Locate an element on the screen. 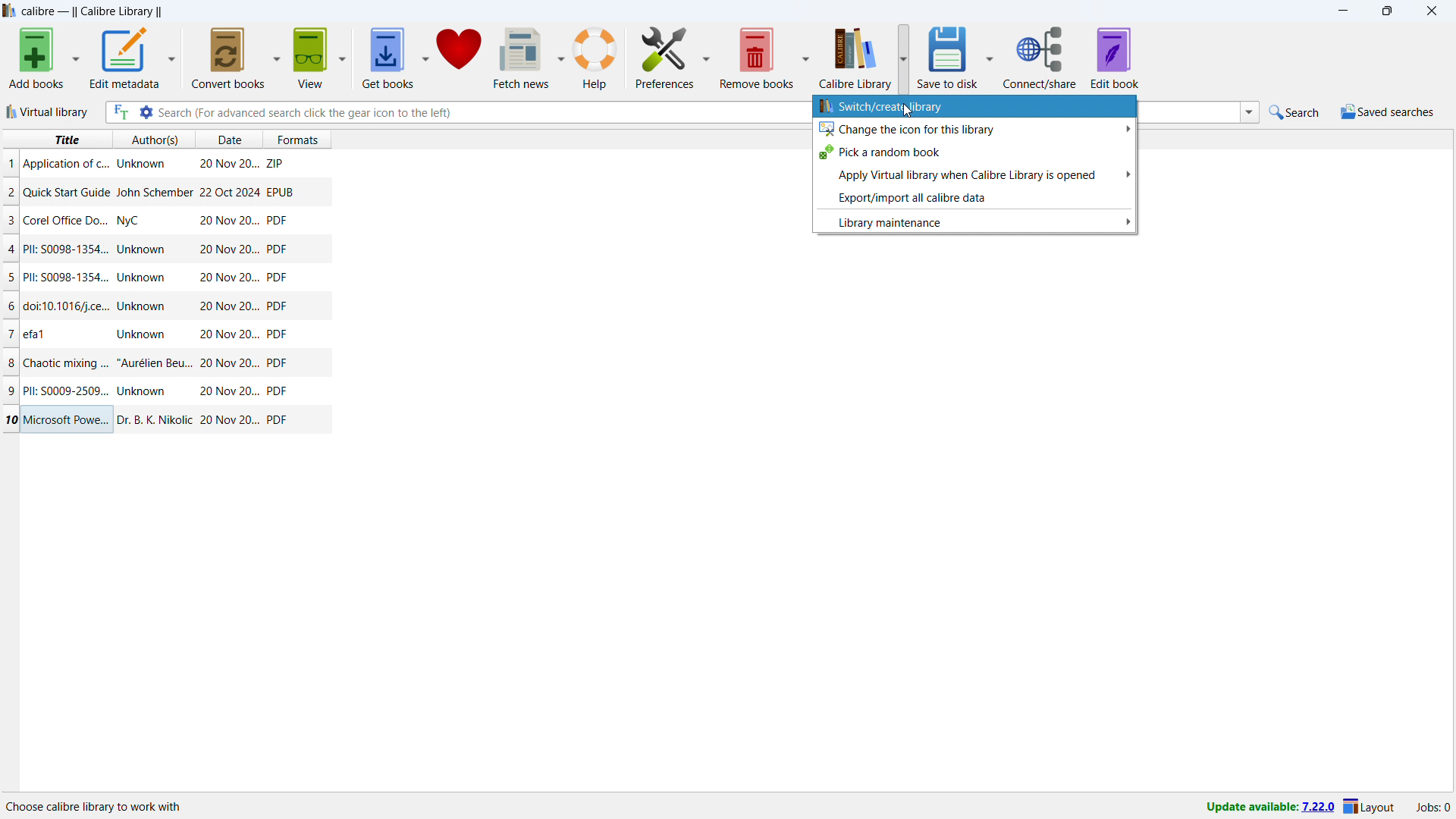  edit metadata options is located at coordinates (171, 58).